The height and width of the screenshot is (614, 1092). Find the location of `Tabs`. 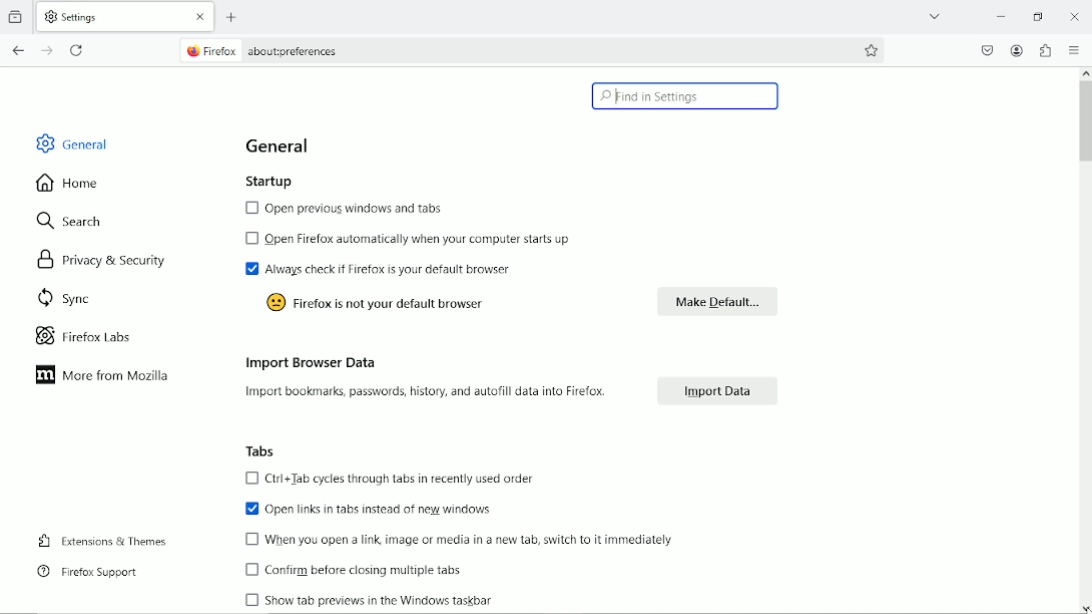

Tabs is located at coordinates (264, 450).